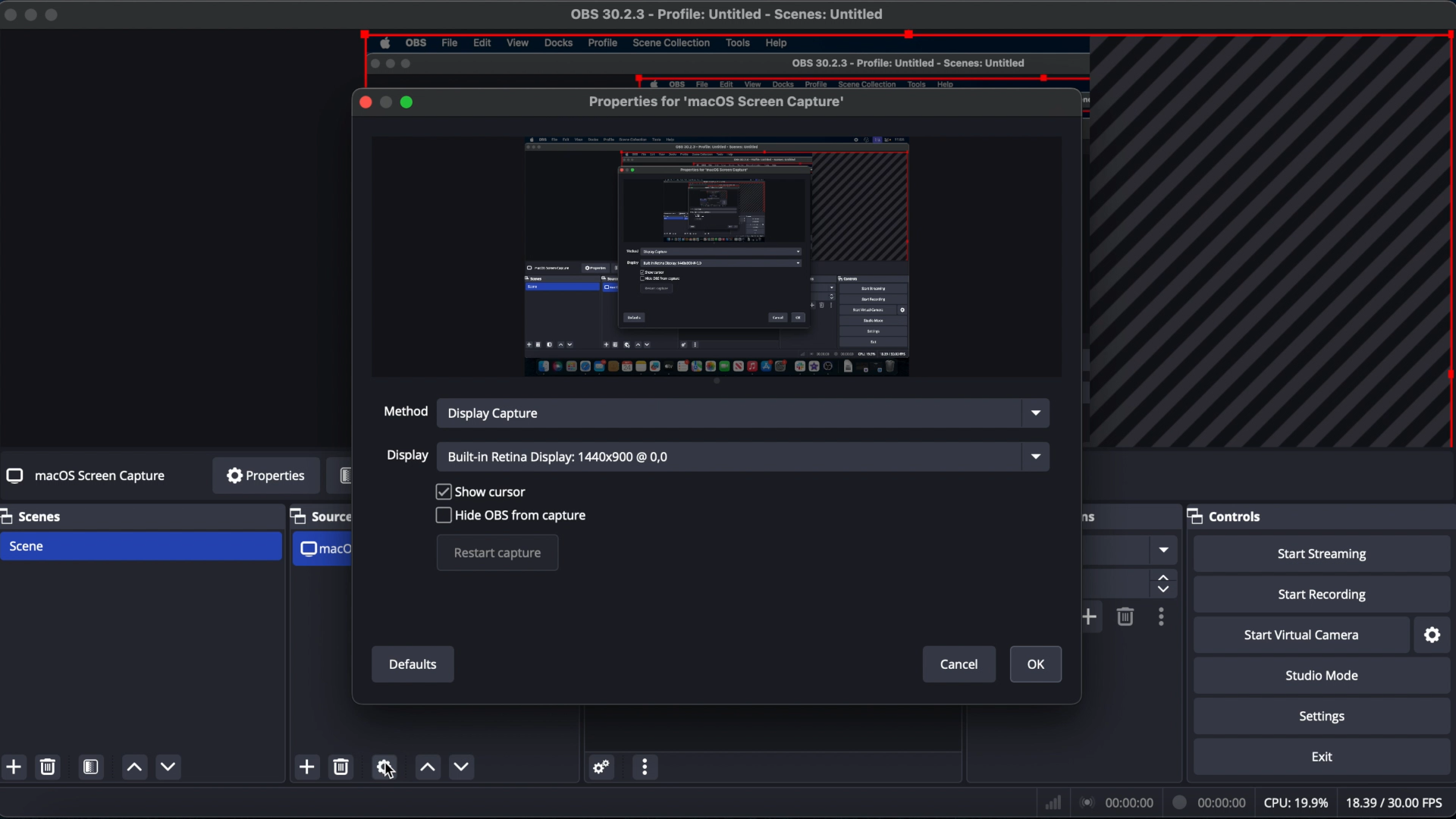  What do you see at coordinates (306, 767) in the screenshot?
I see `add source` at bounding box center [306, 767].